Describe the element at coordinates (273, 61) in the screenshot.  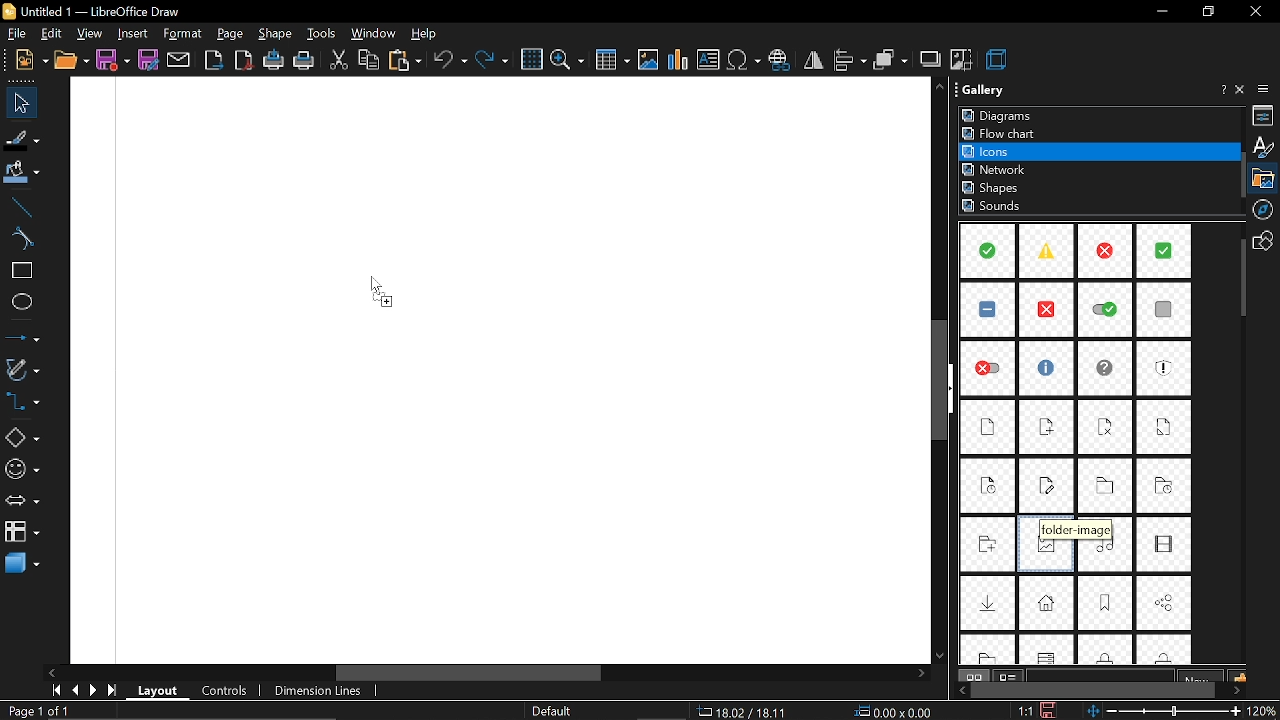
I see `print directly` at that location.